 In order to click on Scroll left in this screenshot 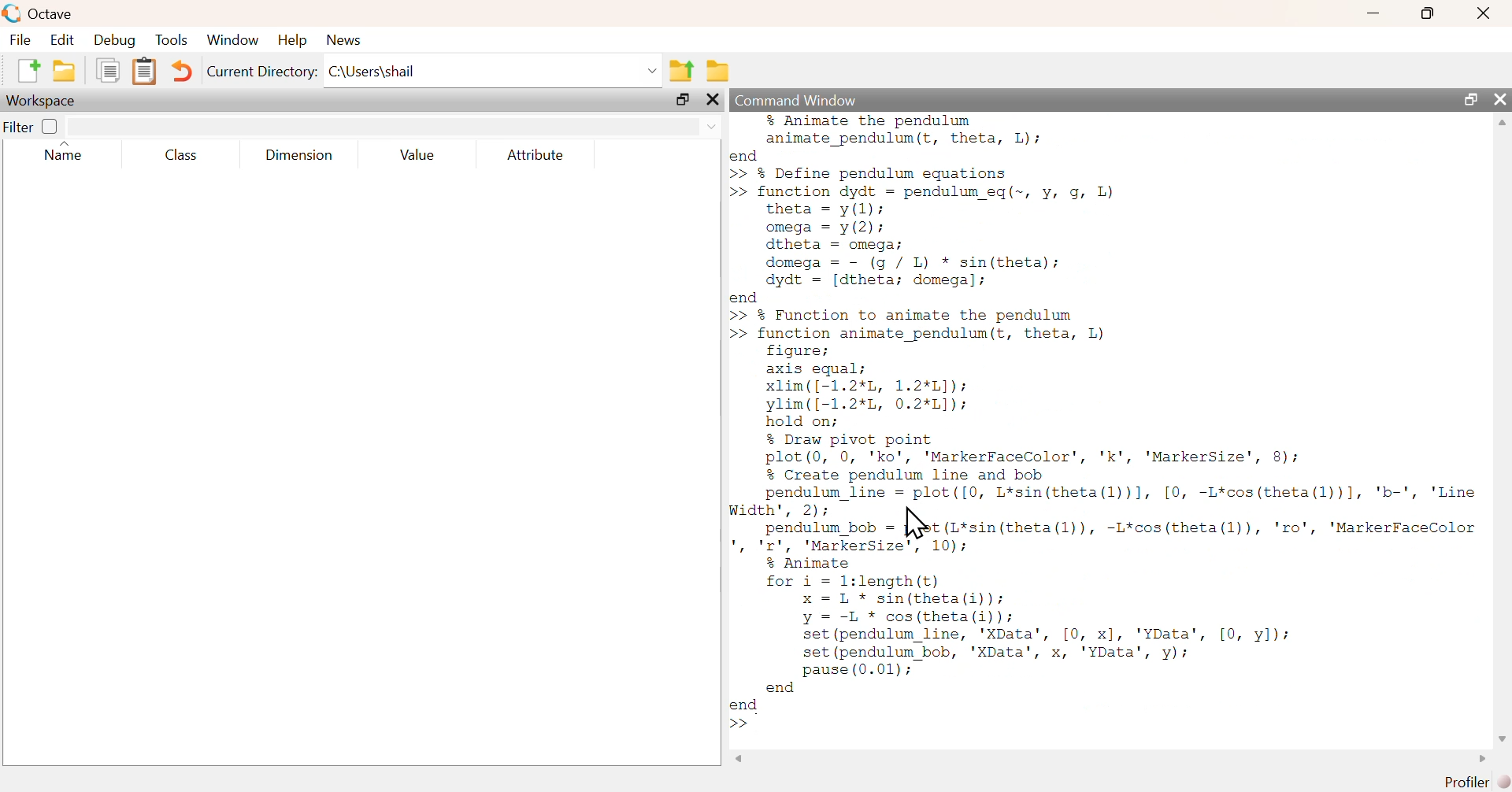, I will do `click(744, 759)`.